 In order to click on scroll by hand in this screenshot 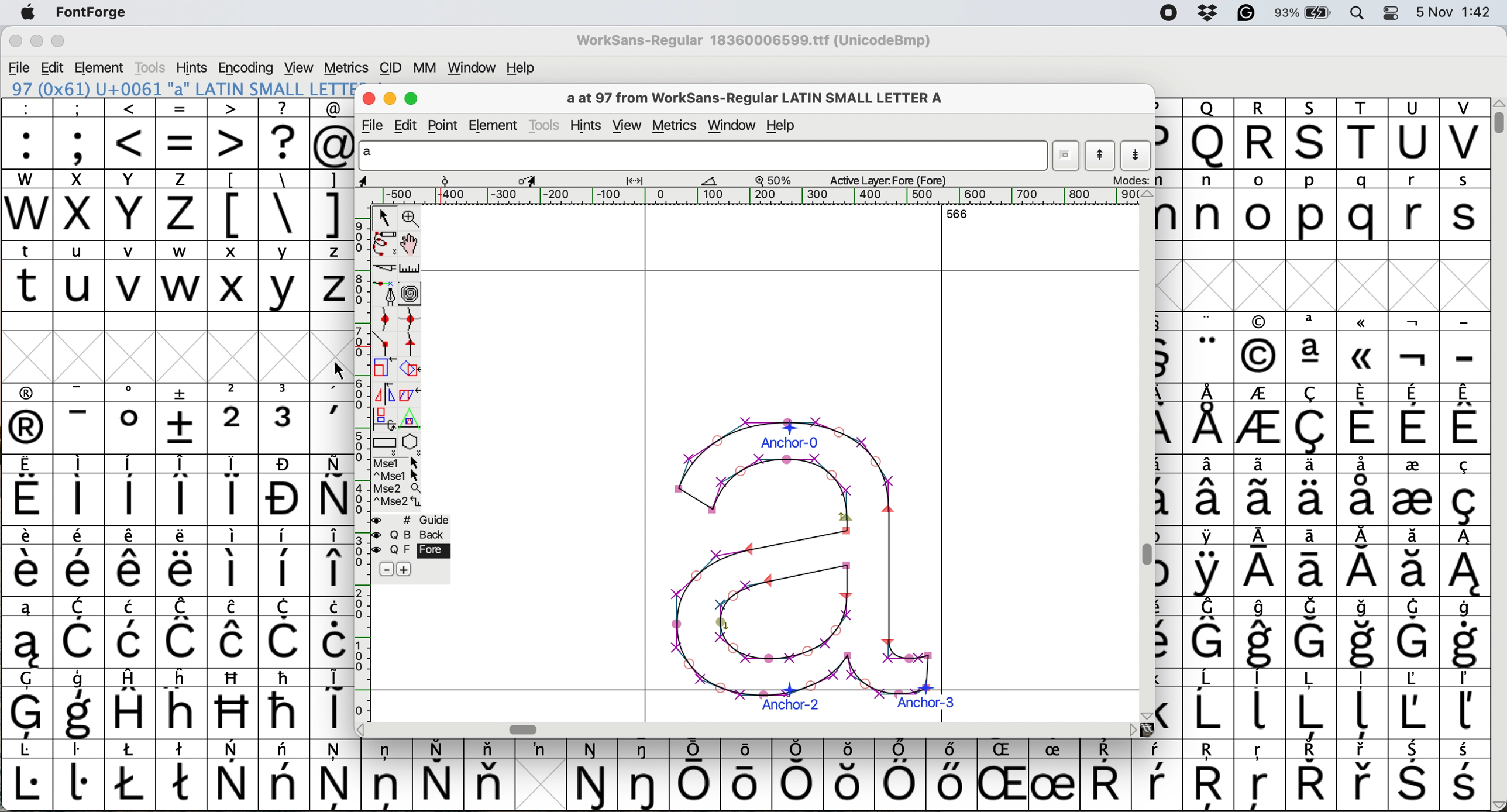, I will do `click(408, 242)`.